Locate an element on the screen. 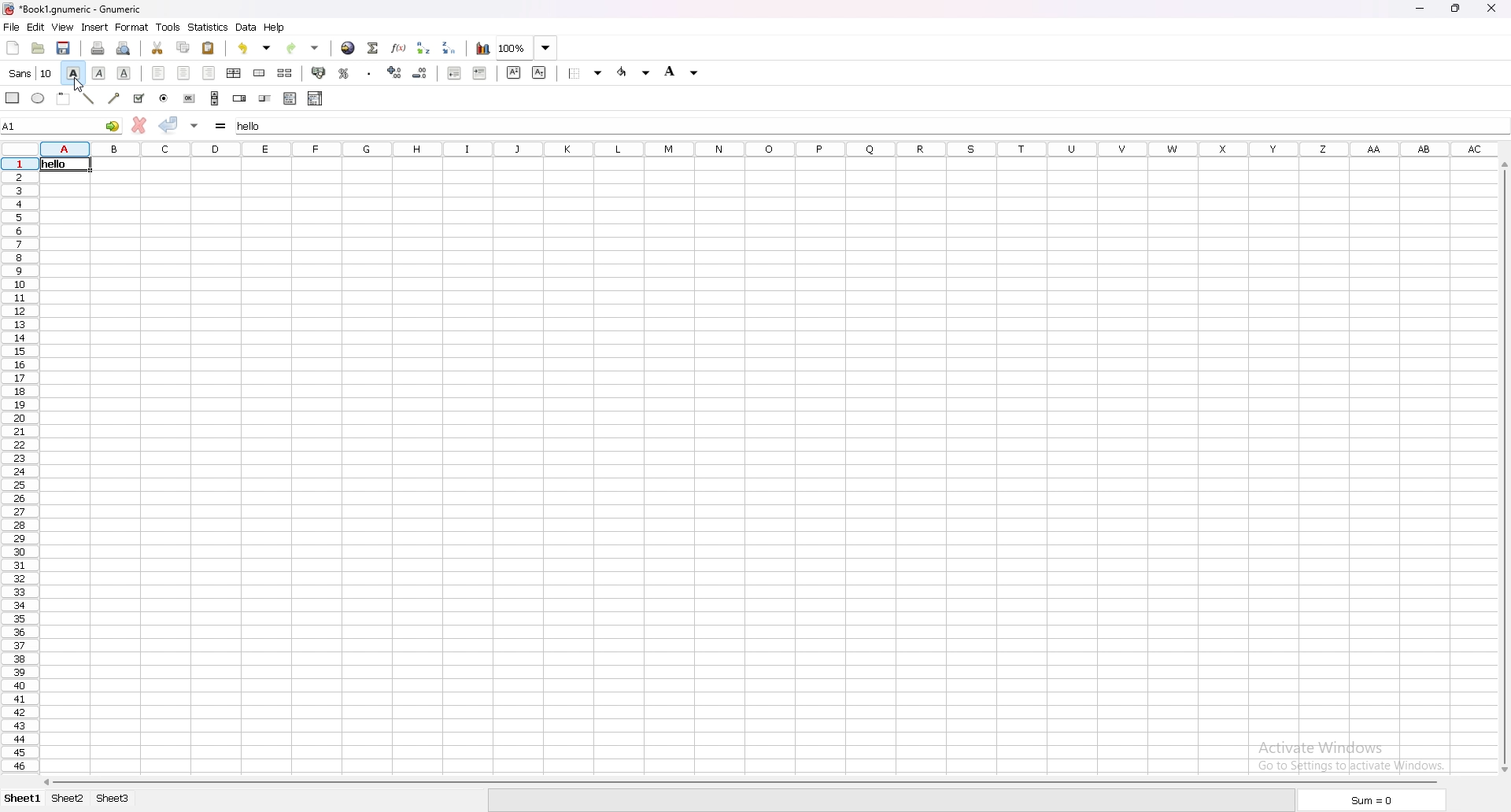 The image size is (1511, 812). italic is located at coordinates (98, 75).